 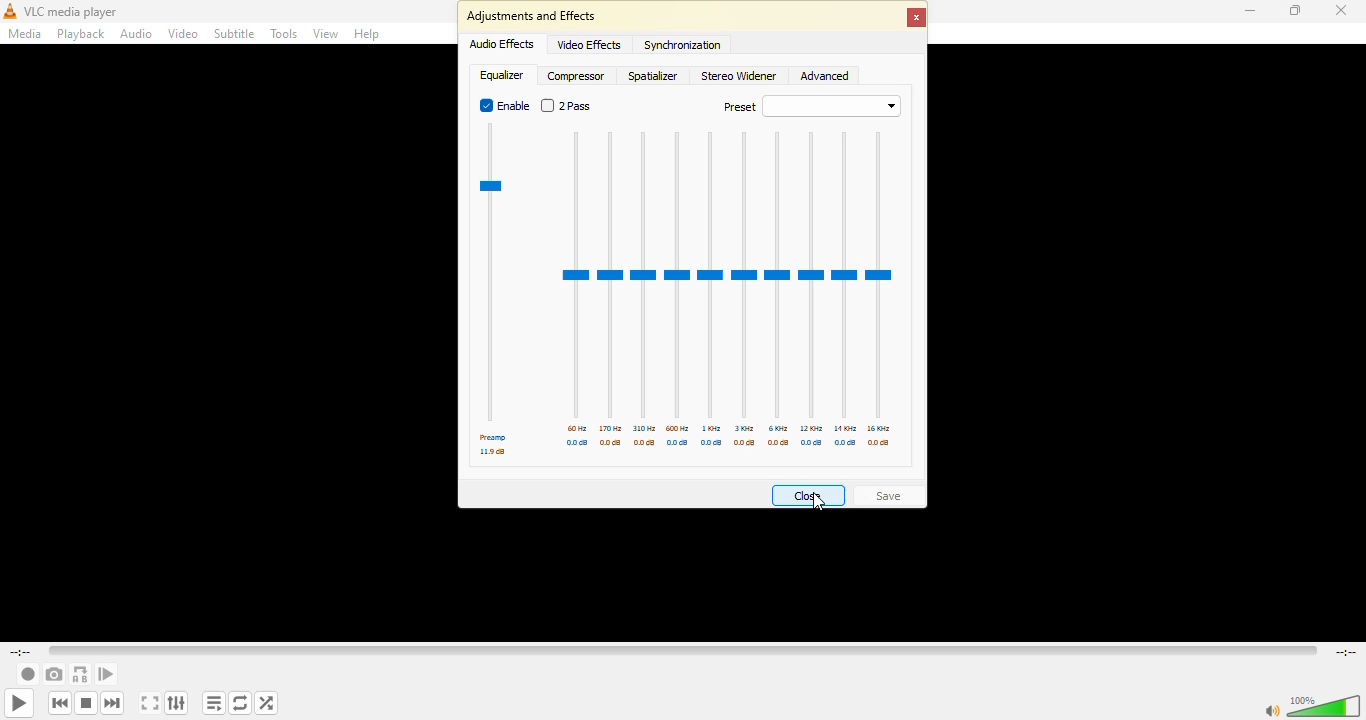 What do you see at coordinates (844, 107) in the screenshot?
I see `drop down` at bounding box center [844, 107].